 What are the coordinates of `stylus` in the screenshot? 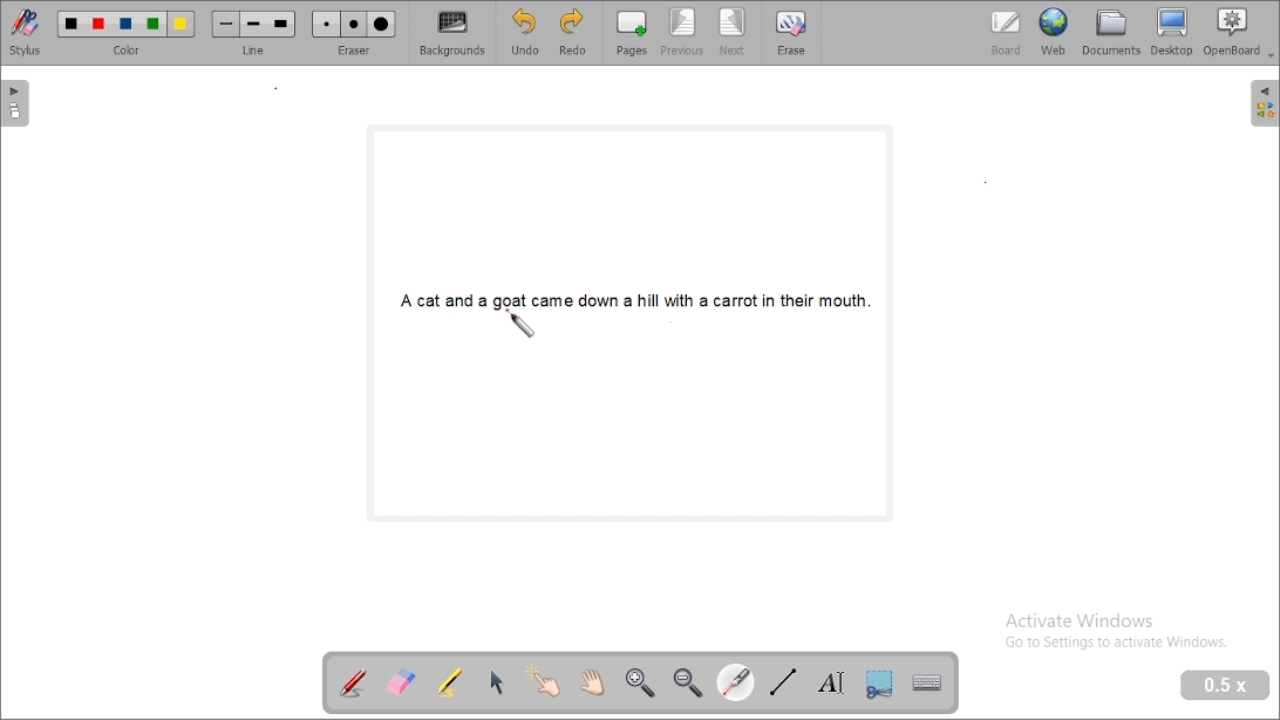 It's located at (26, 33).